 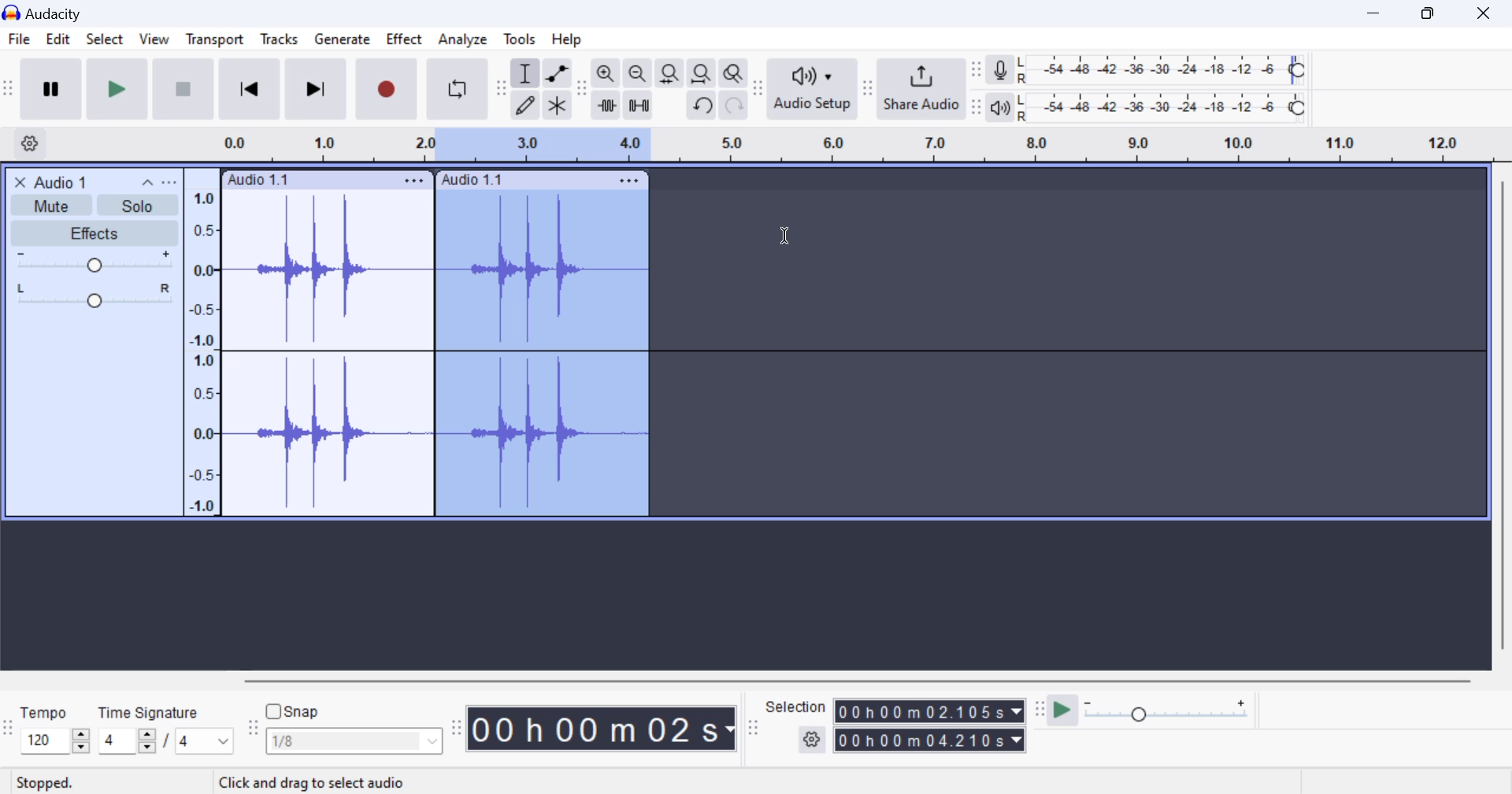 What do you see at coordinates (46, 784) in the screenshot?
I see `Clip Status` at bounding box center [46, 784].